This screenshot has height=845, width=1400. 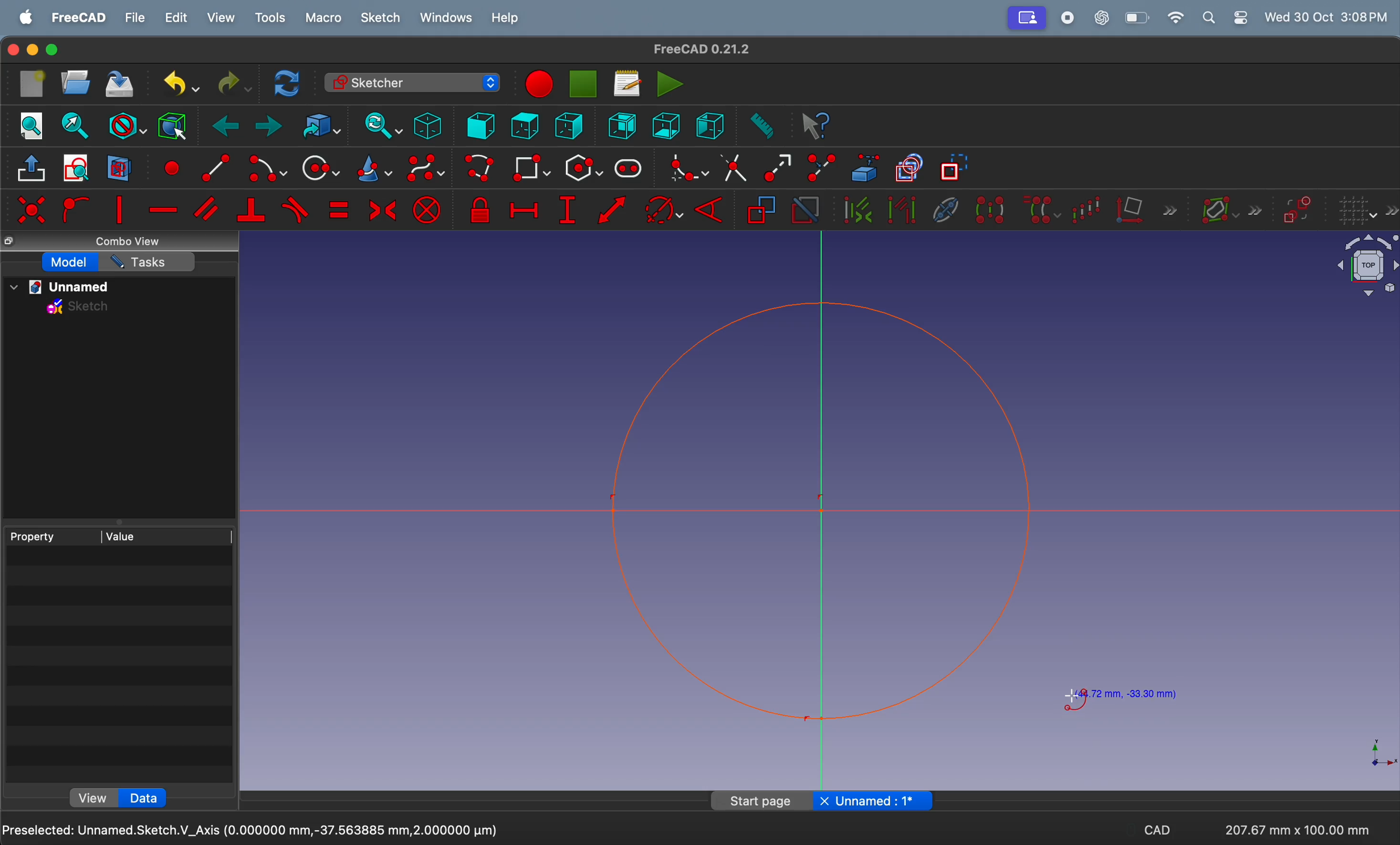 What do you see at coordinates (1357, 268) in the screenshot?
I see `object view` at bounding box center [1357, 268].